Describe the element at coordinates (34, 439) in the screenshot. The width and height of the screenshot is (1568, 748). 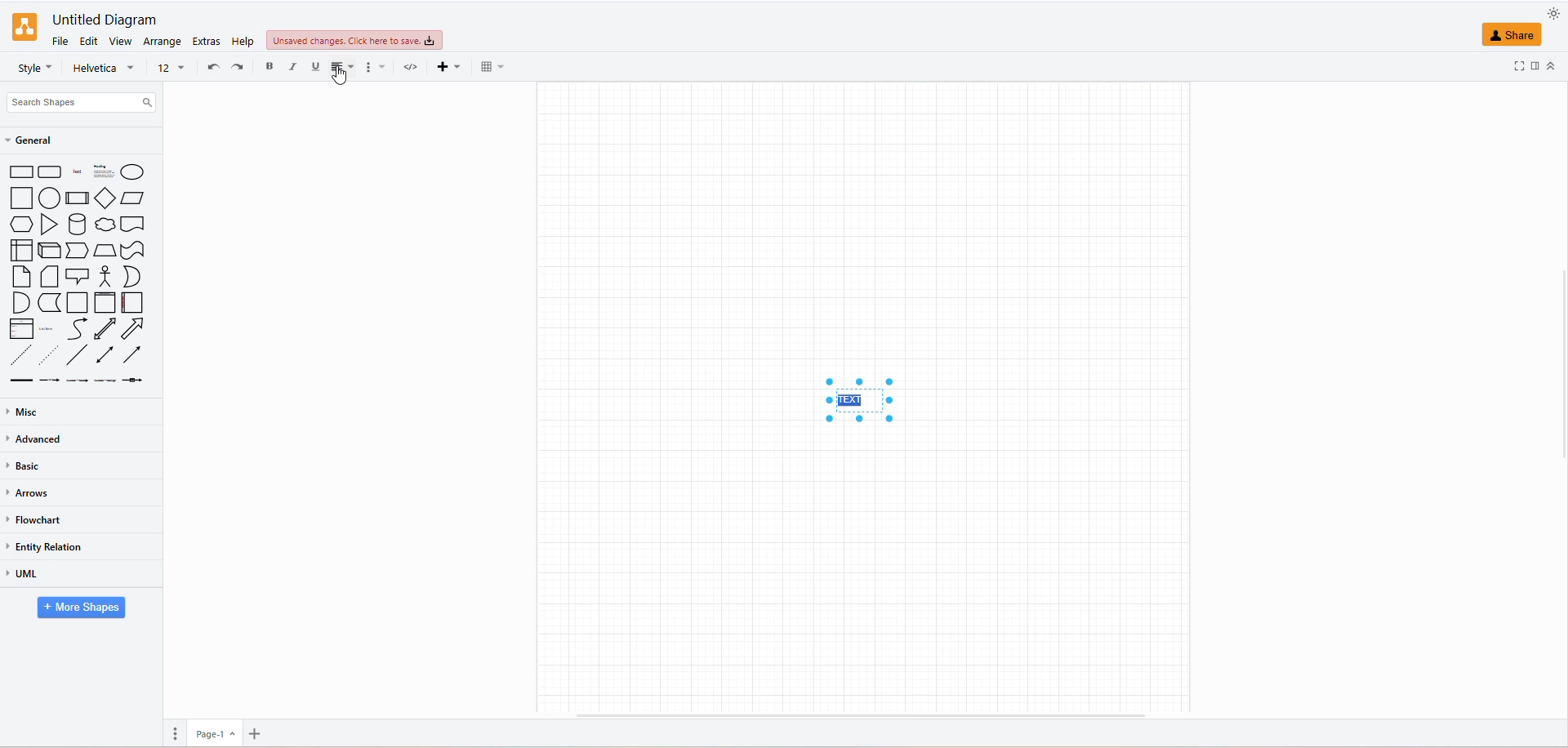
I see `advanced` at that location.